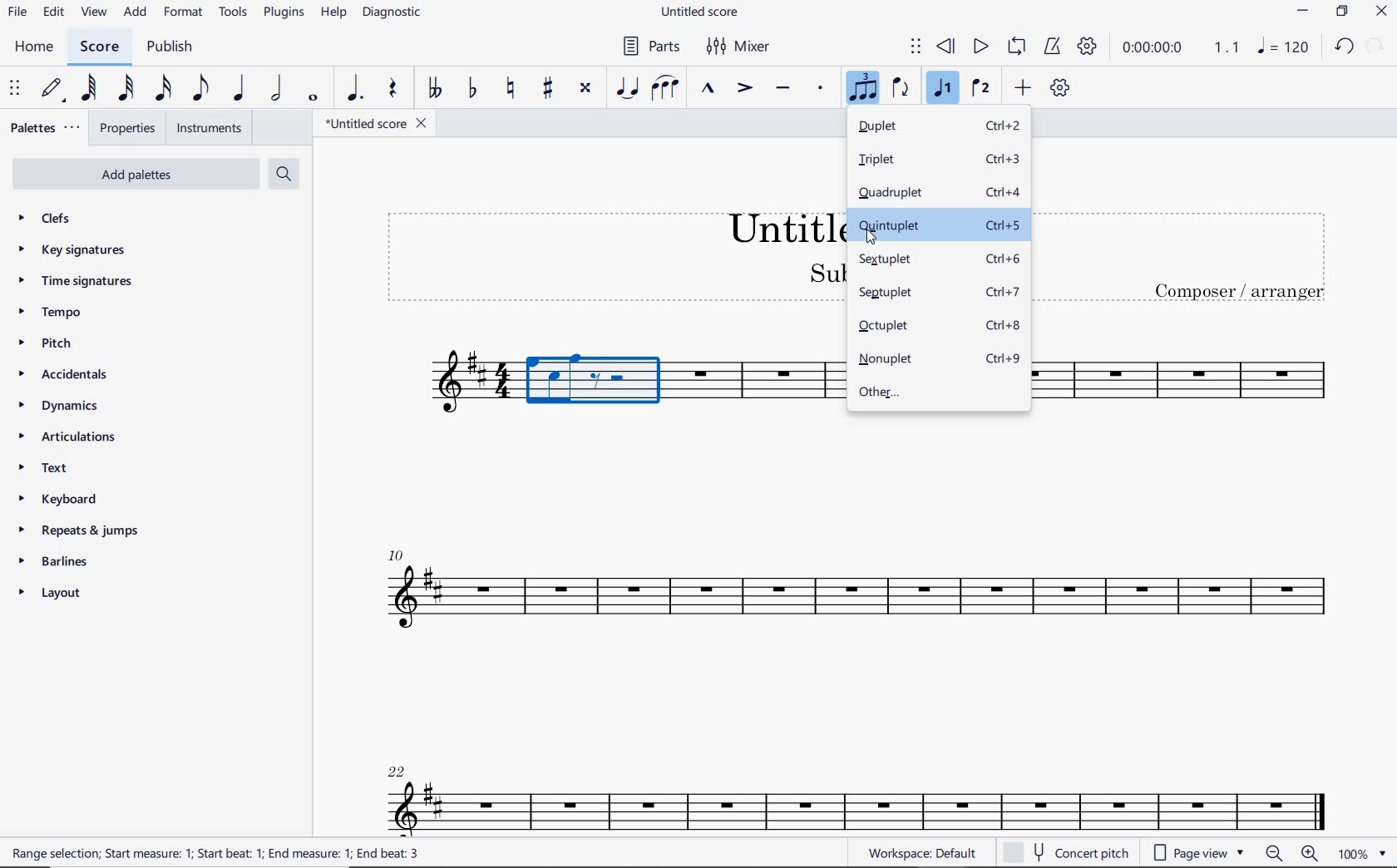  I want to click on ARTICULATIONS, so click(67, 439).